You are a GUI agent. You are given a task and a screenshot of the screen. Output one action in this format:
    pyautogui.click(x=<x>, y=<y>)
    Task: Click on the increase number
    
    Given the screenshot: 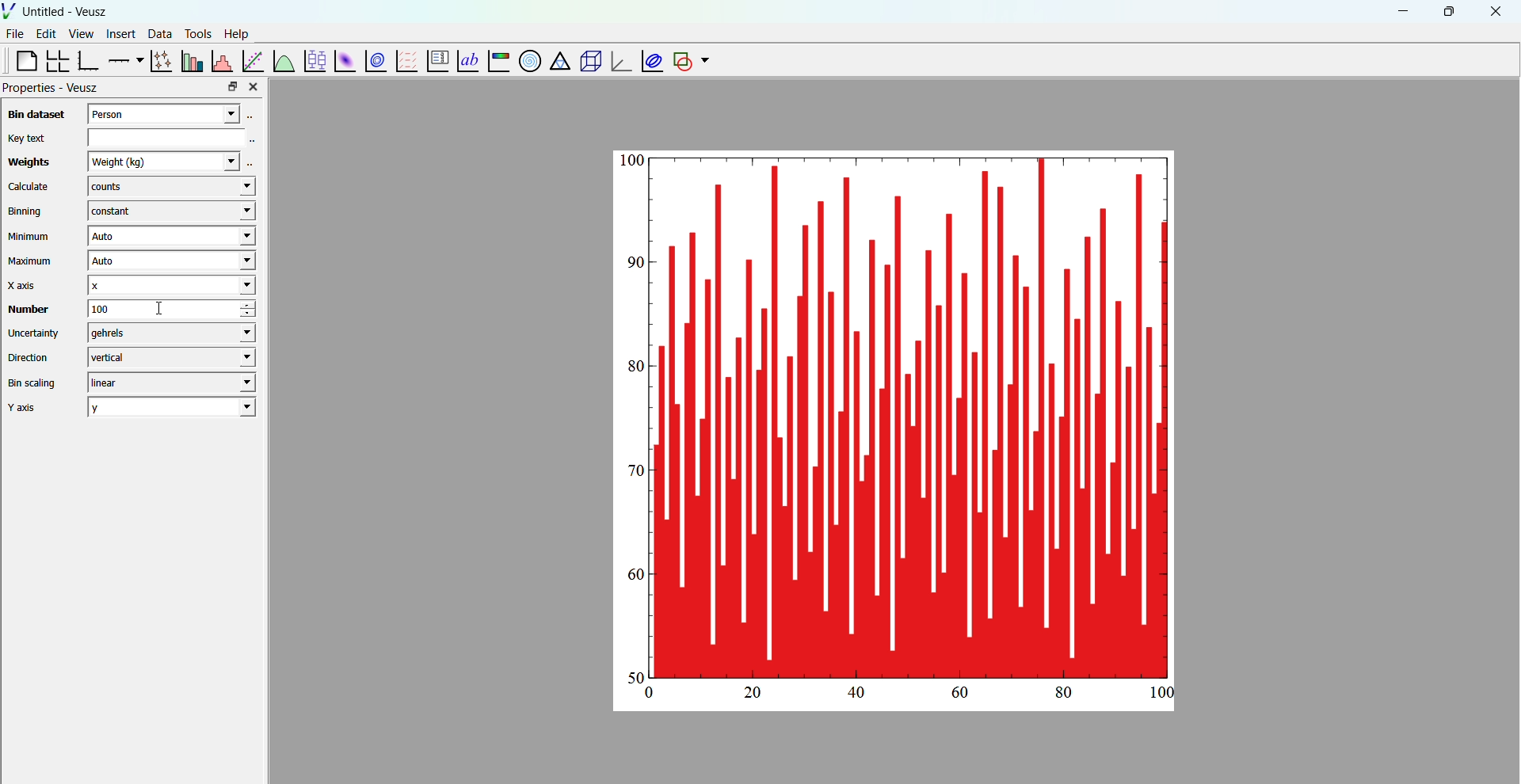 What is the action you would take?
    pyautogui.click(x=259, y=305)
    